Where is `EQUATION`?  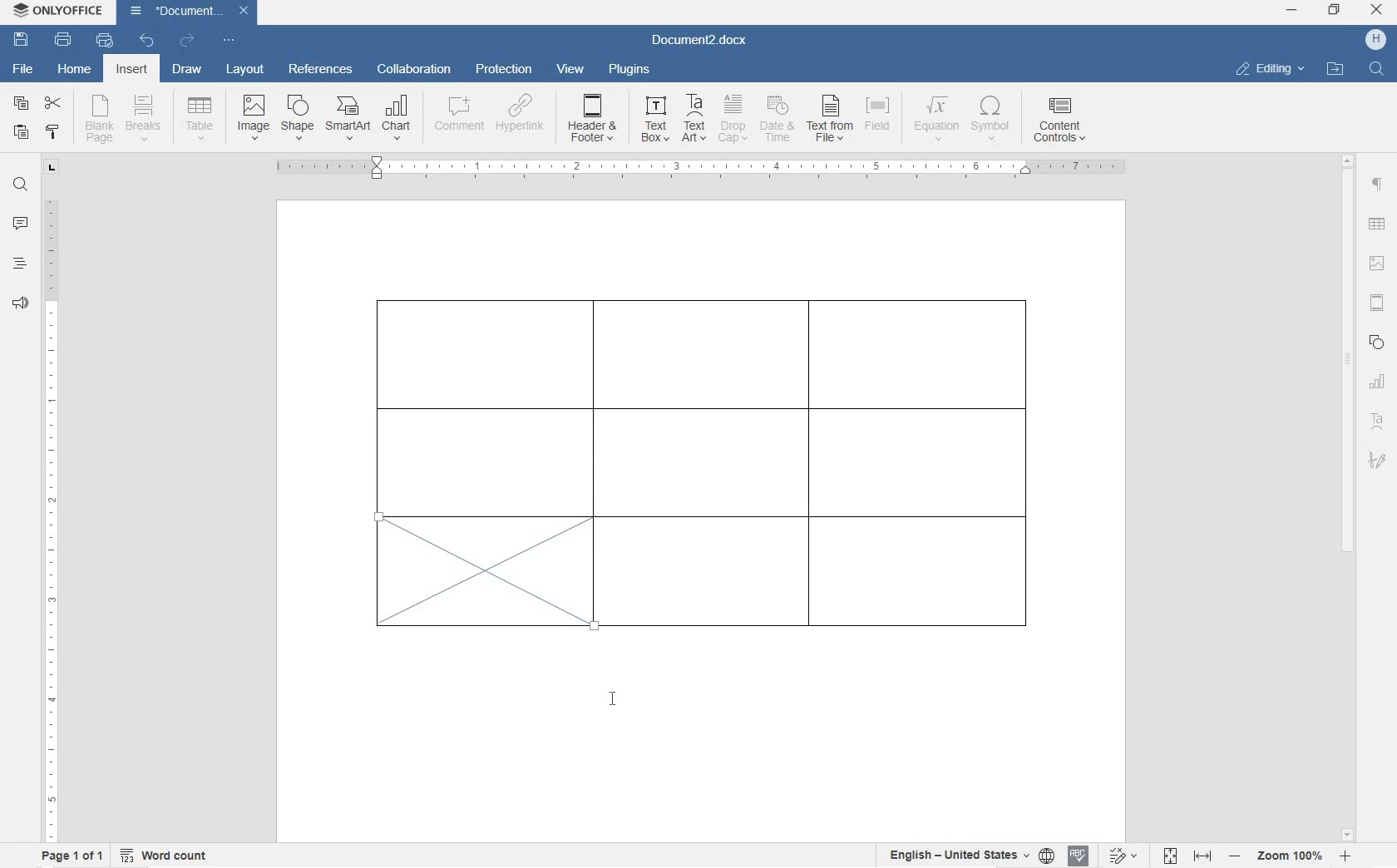
EQUATION is located at coordinates (937, 119).